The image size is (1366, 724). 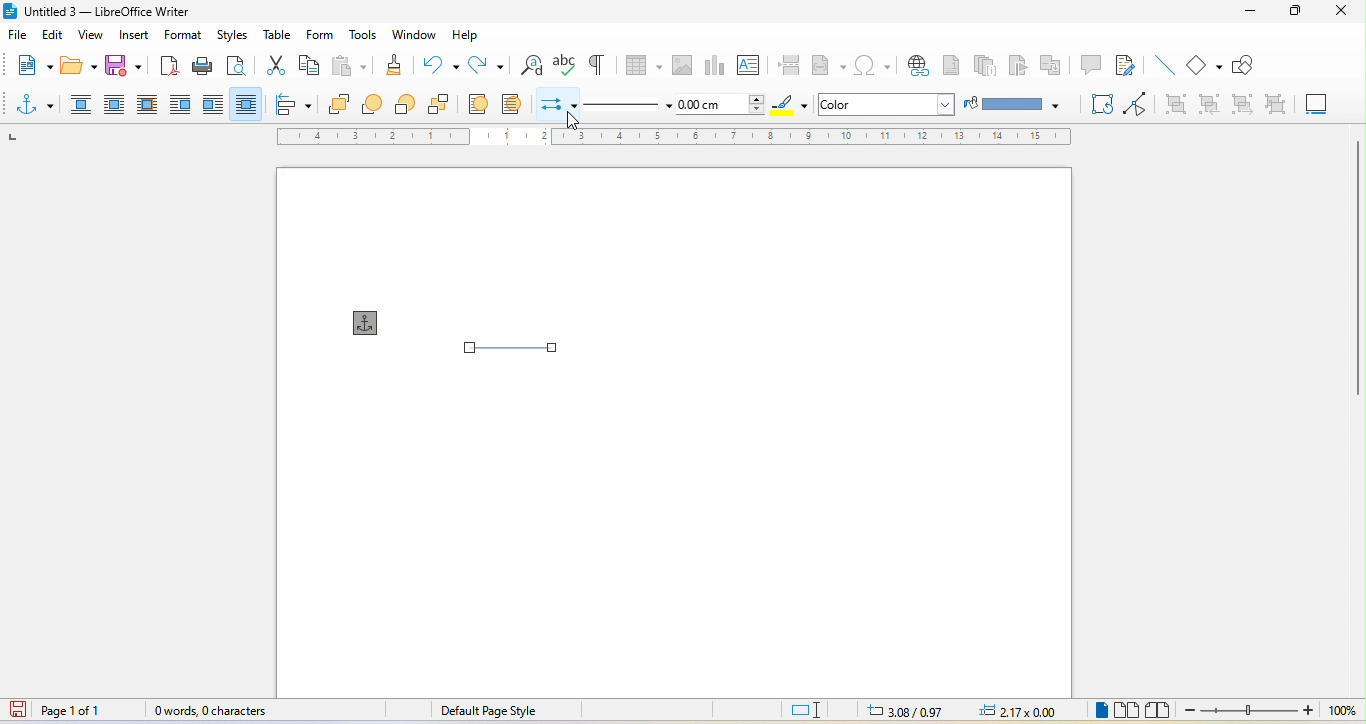 What do you see at coordinates (245, 102) in the screenshot?
I see `through` at bounding box center [245, 102].